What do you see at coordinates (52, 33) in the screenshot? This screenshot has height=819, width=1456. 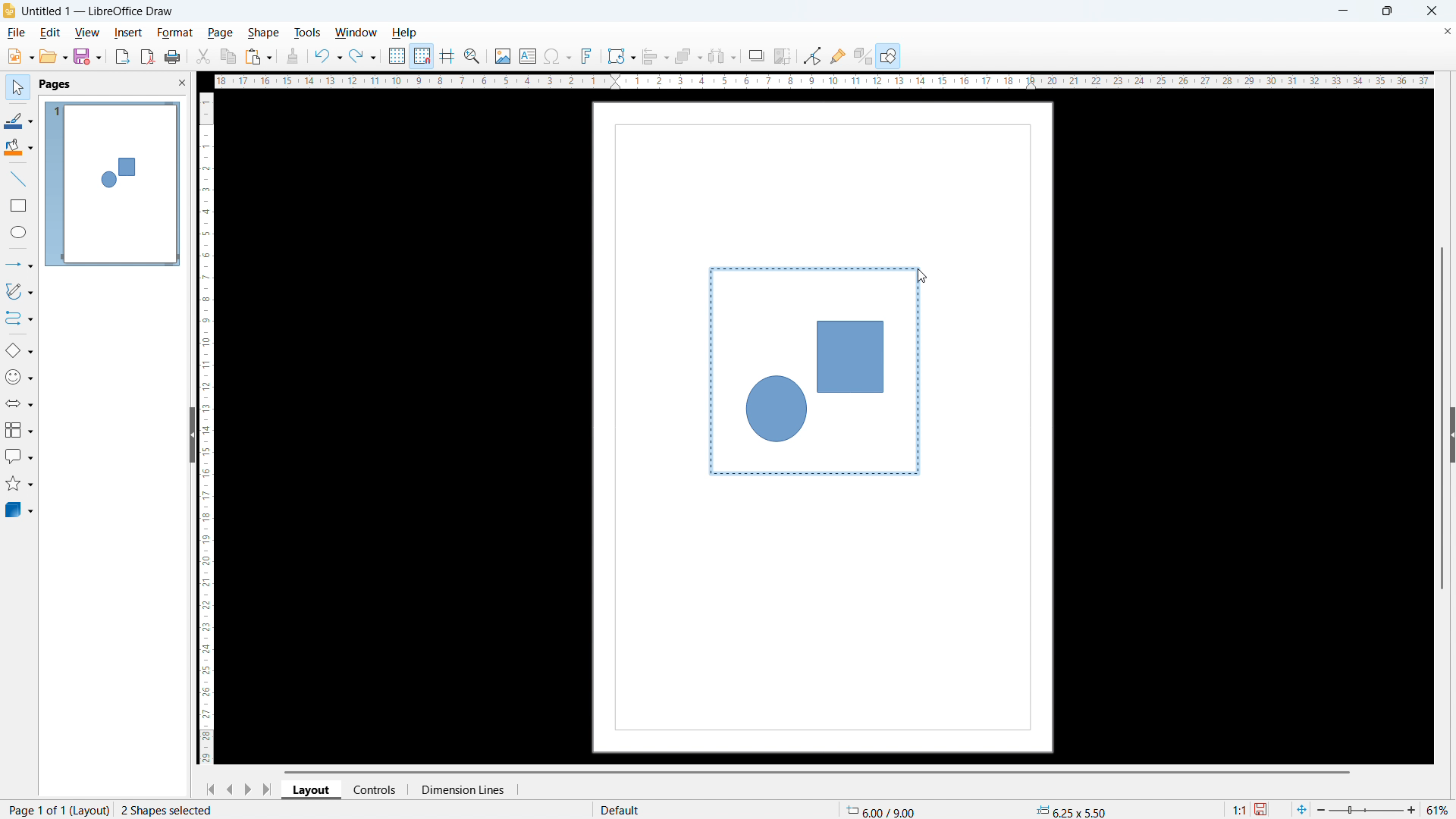 I see `edit` at bounding box center [52, 33].